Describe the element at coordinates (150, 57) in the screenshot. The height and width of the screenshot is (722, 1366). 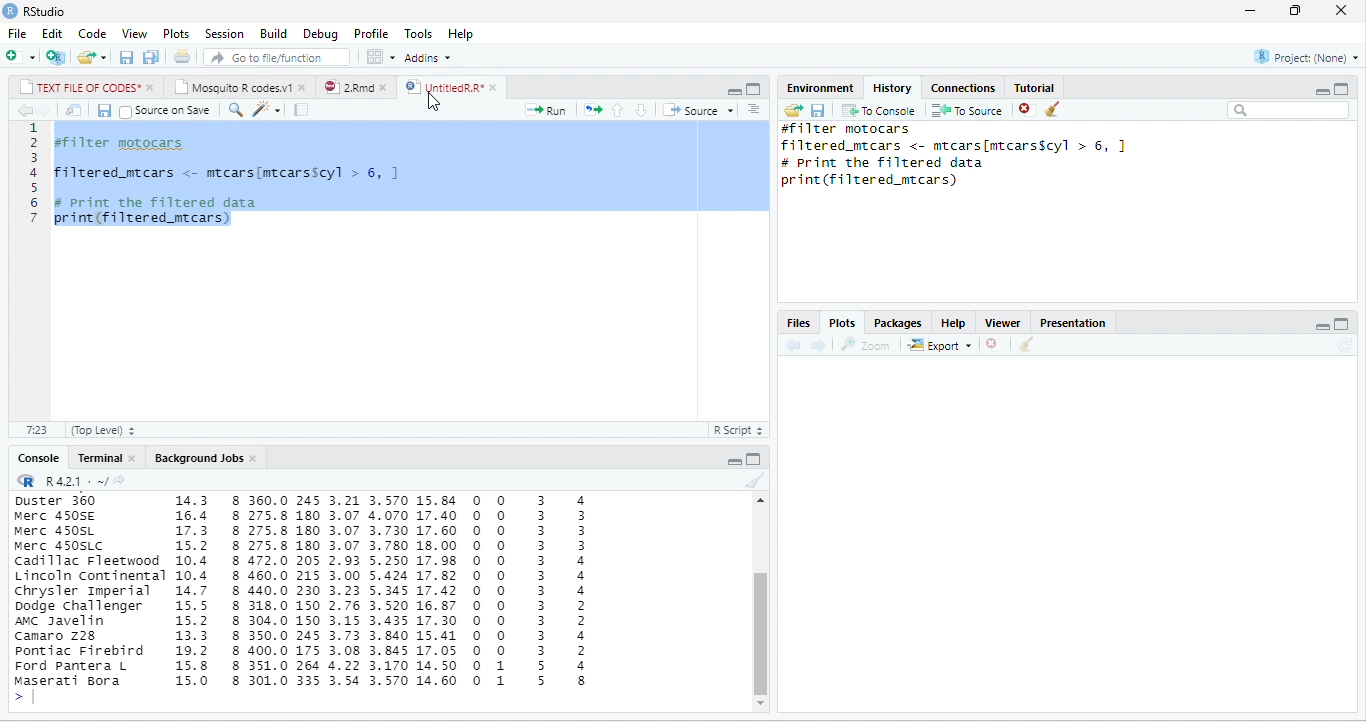
I see `save all` at that location.